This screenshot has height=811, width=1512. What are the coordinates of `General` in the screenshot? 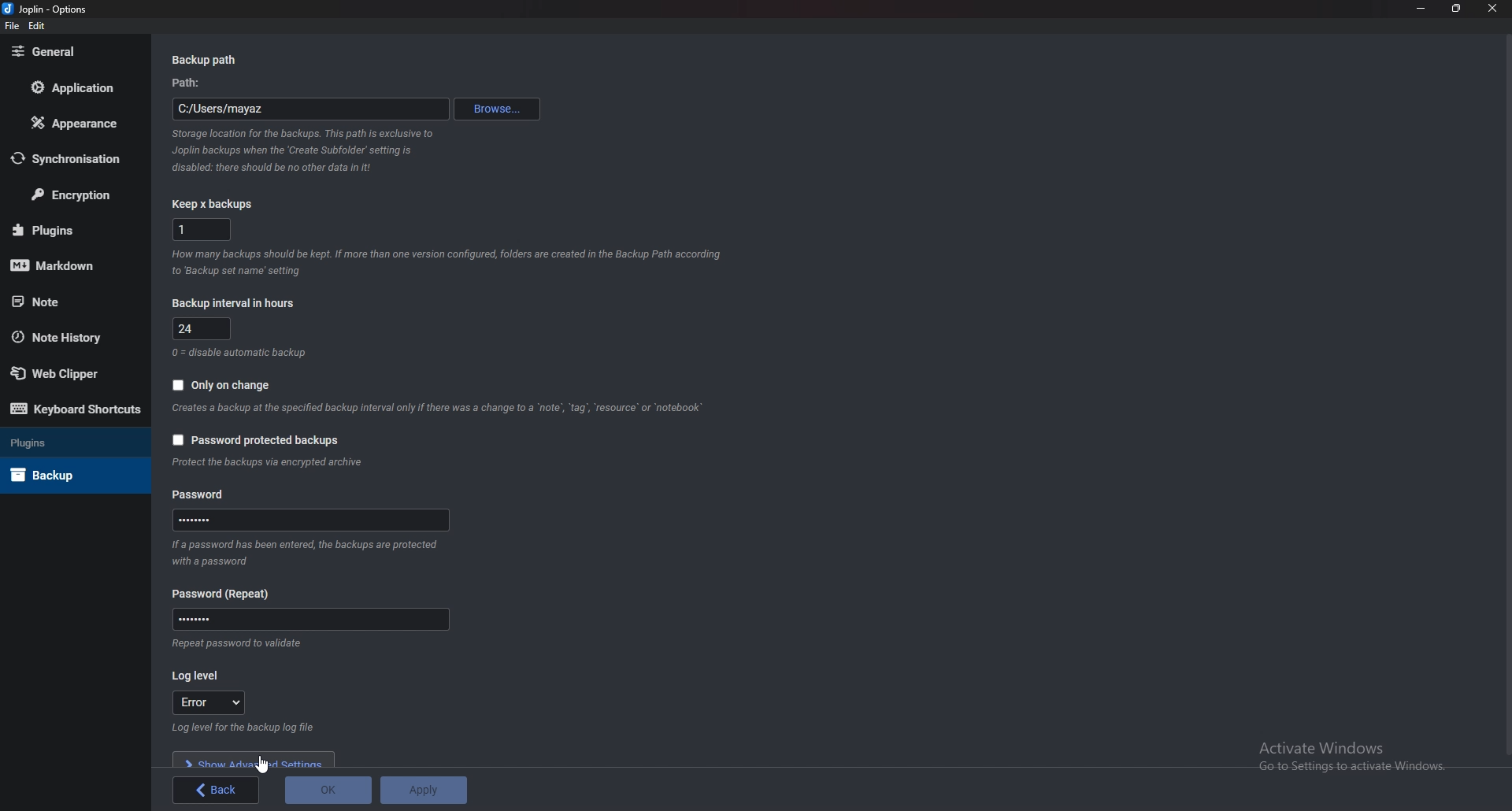 It's located at (69, 52).